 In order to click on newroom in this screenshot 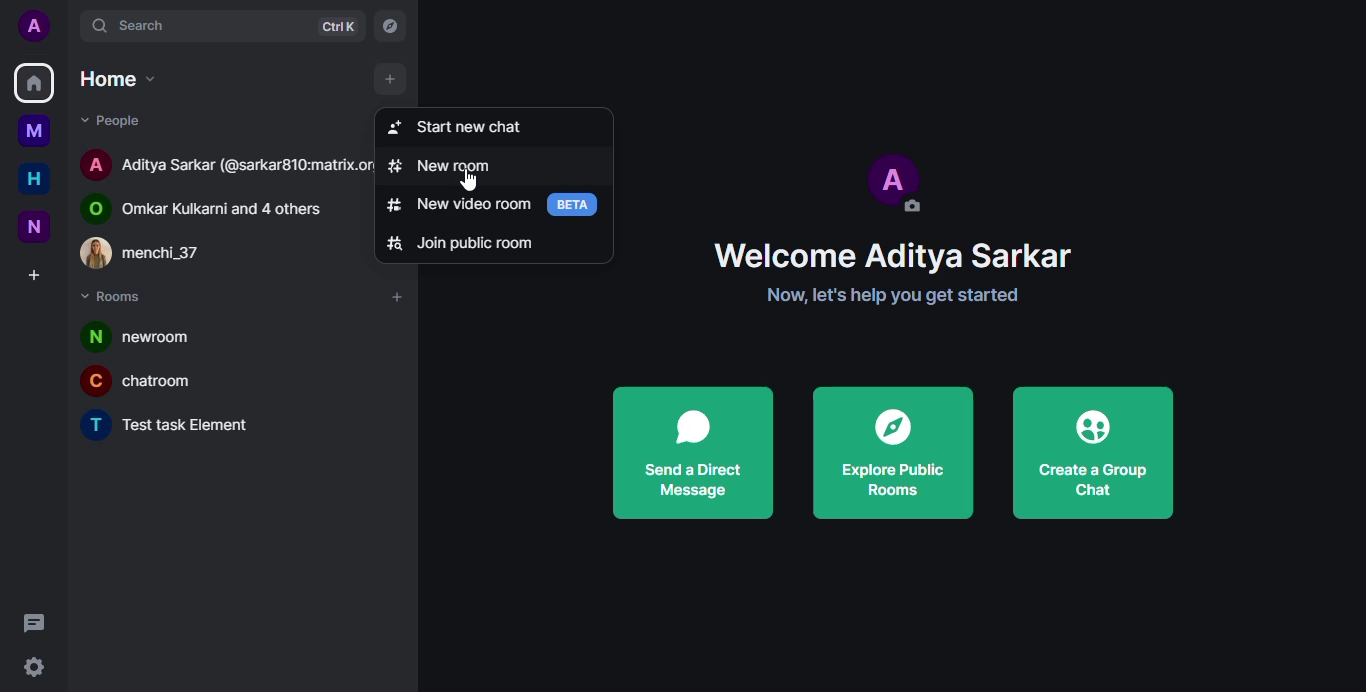, I will do `click(151, 335)`.